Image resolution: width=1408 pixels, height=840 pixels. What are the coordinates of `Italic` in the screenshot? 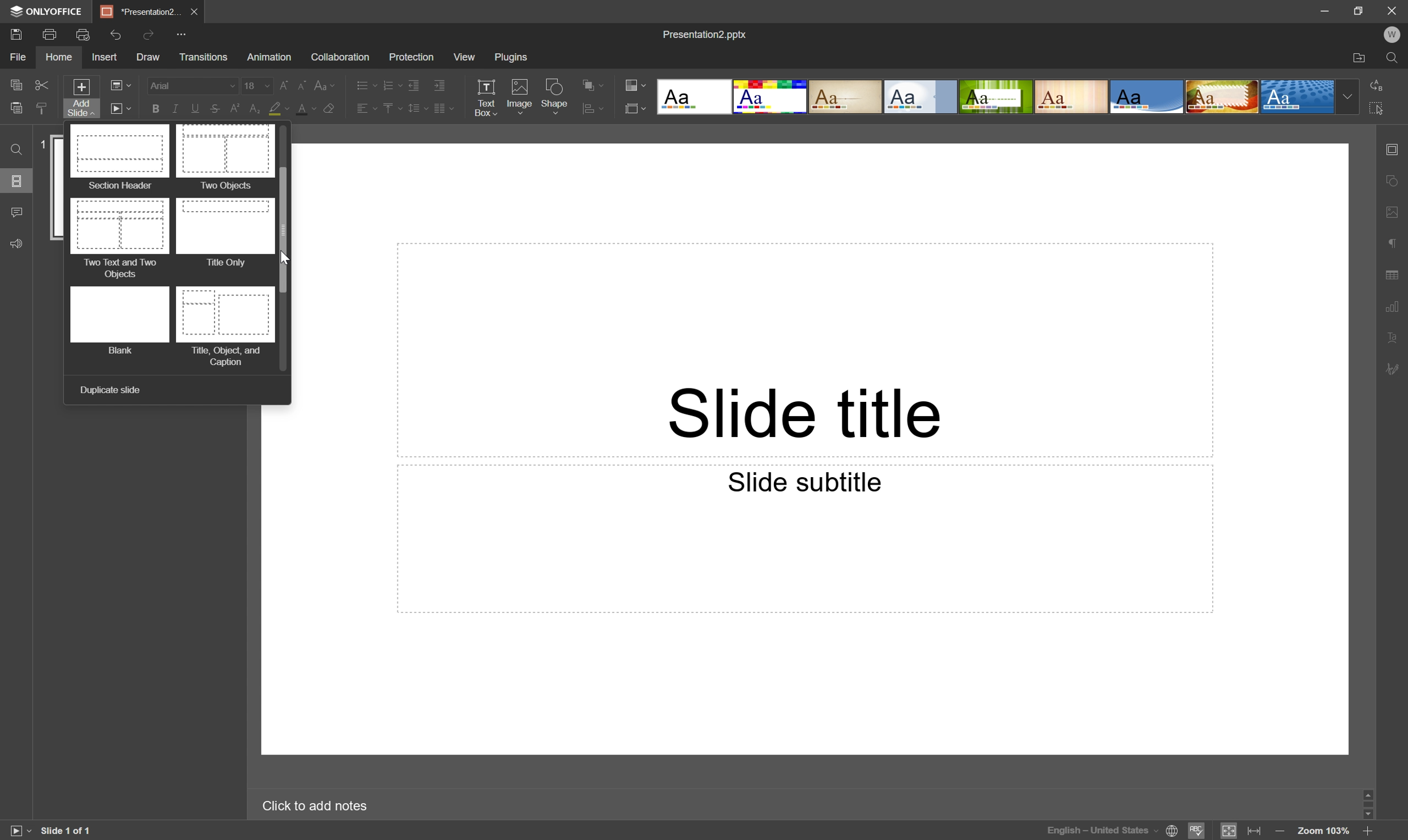 It's located at (173, 110).